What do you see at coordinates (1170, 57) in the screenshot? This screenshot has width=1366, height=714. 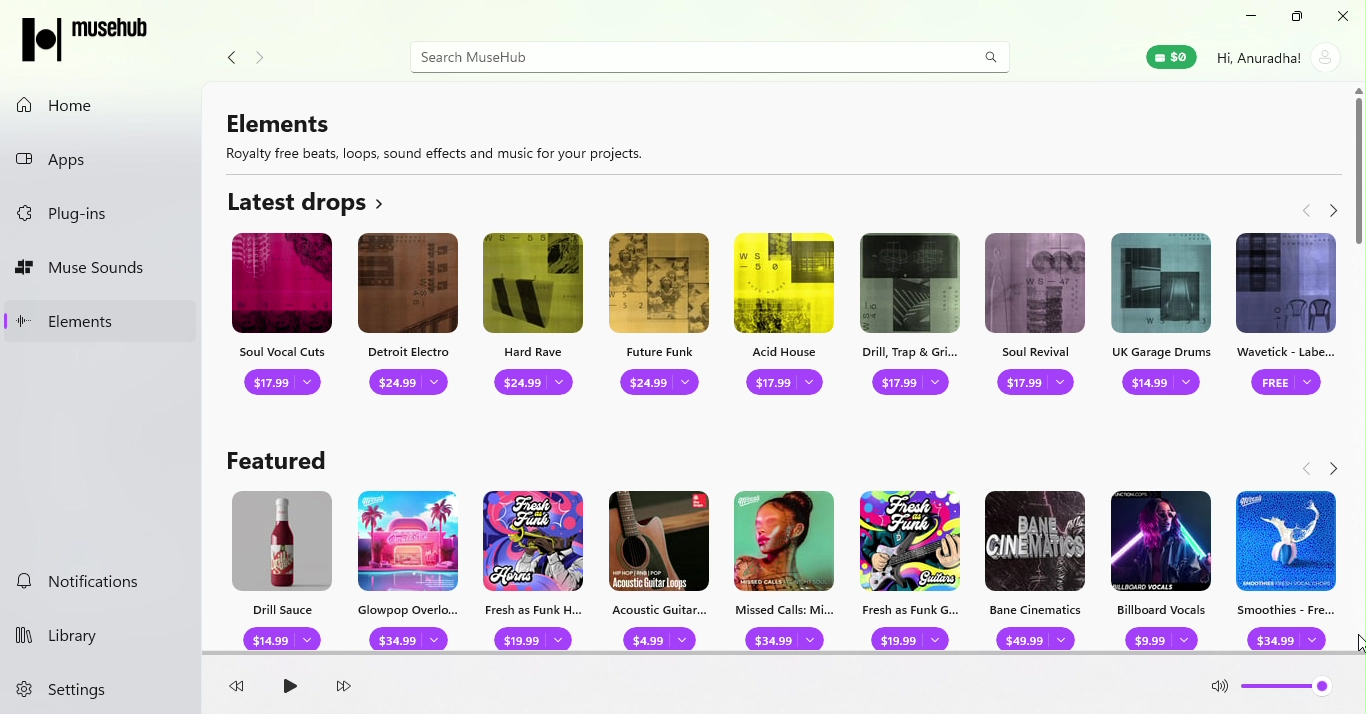 I see `Muse Wallet` at bounding box center [1170, 57].